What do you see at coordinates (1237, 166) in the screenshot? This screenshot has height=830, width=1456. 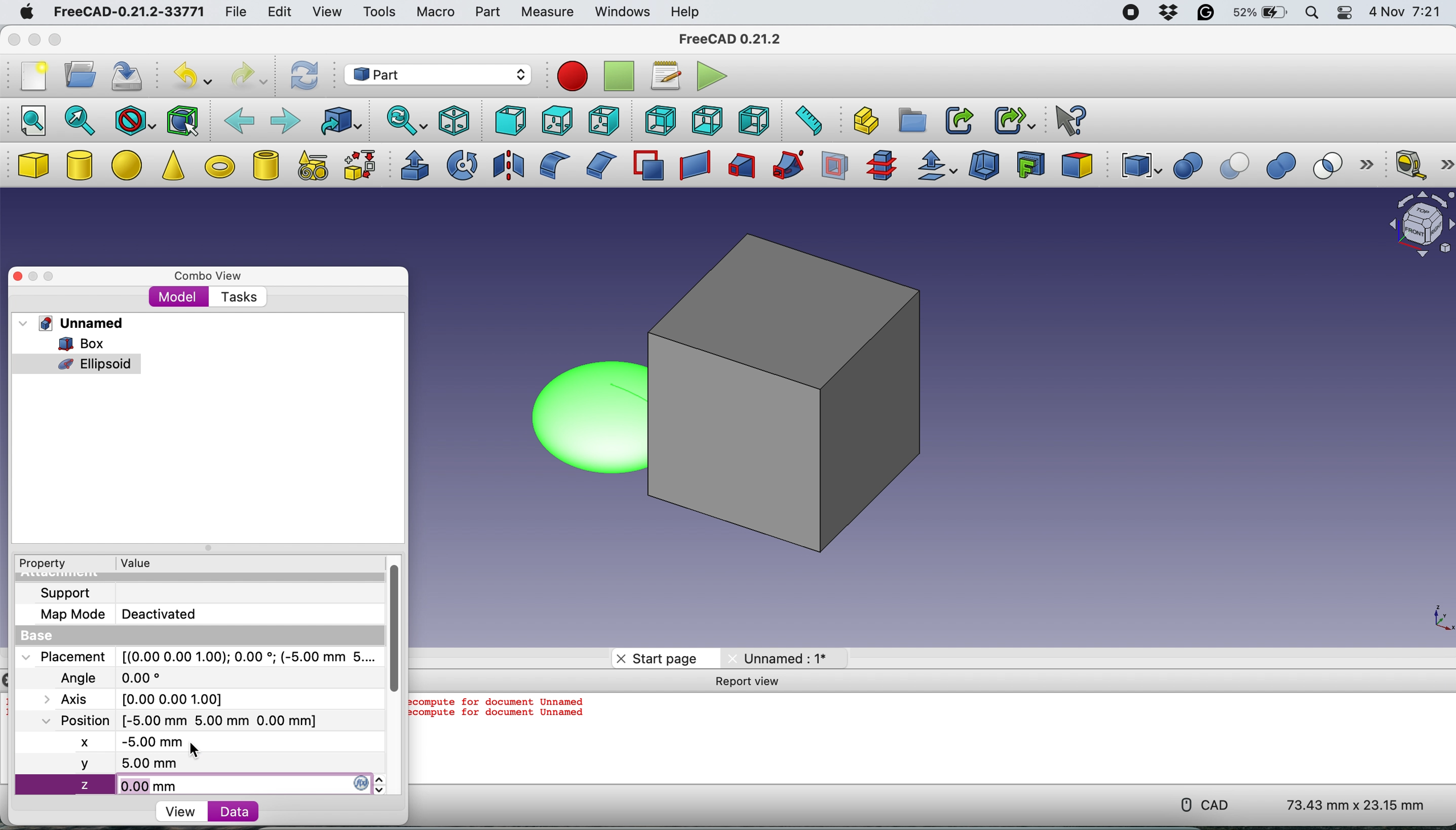 I see `cut` at bounding box center [1237, 166].